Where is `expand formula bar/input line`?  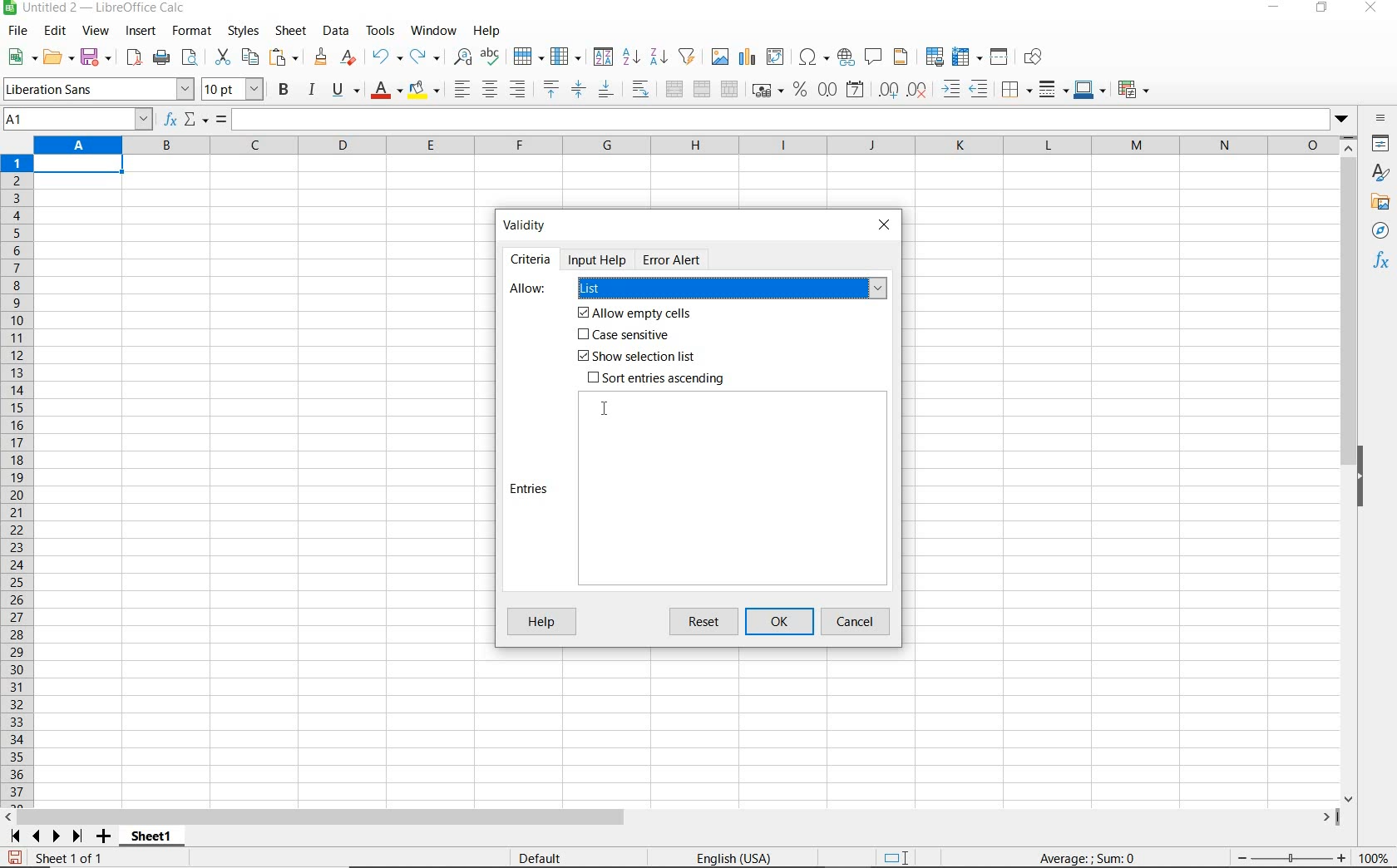
expand formula bar/input line is located at coordinates (777, 121).